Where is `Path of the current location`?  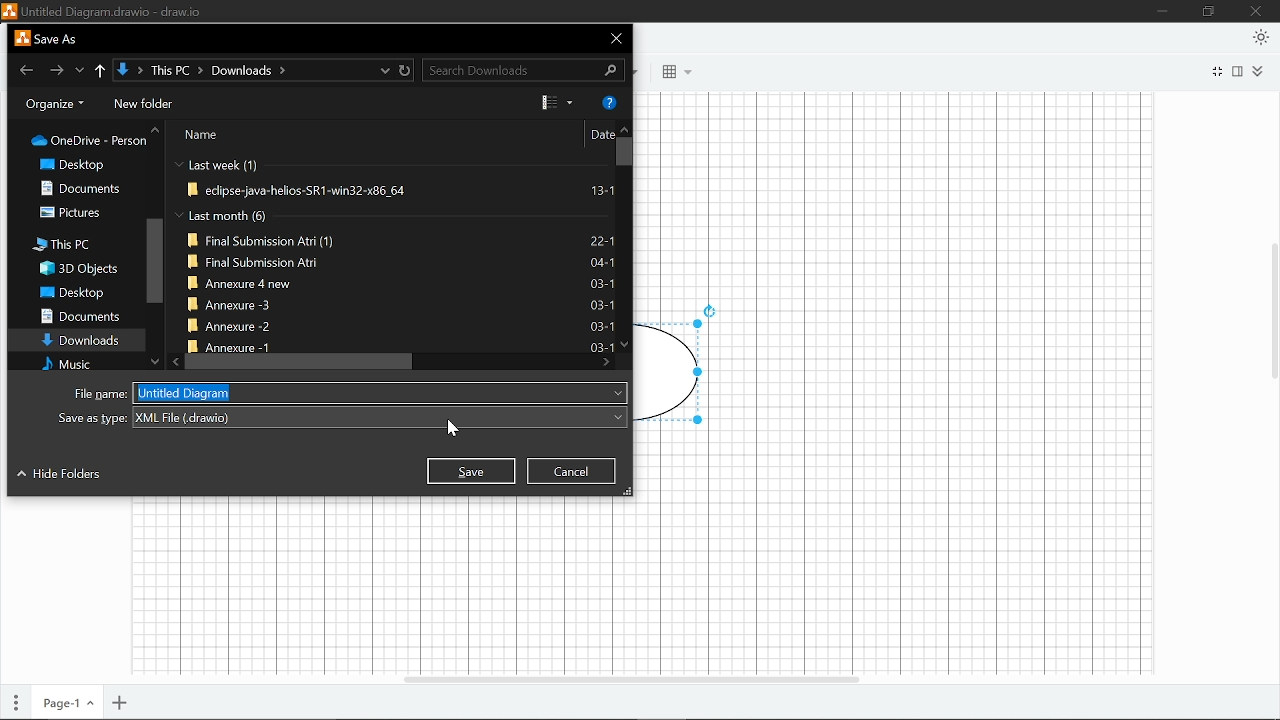 Path of the current location is located at coordinates (219, 71).